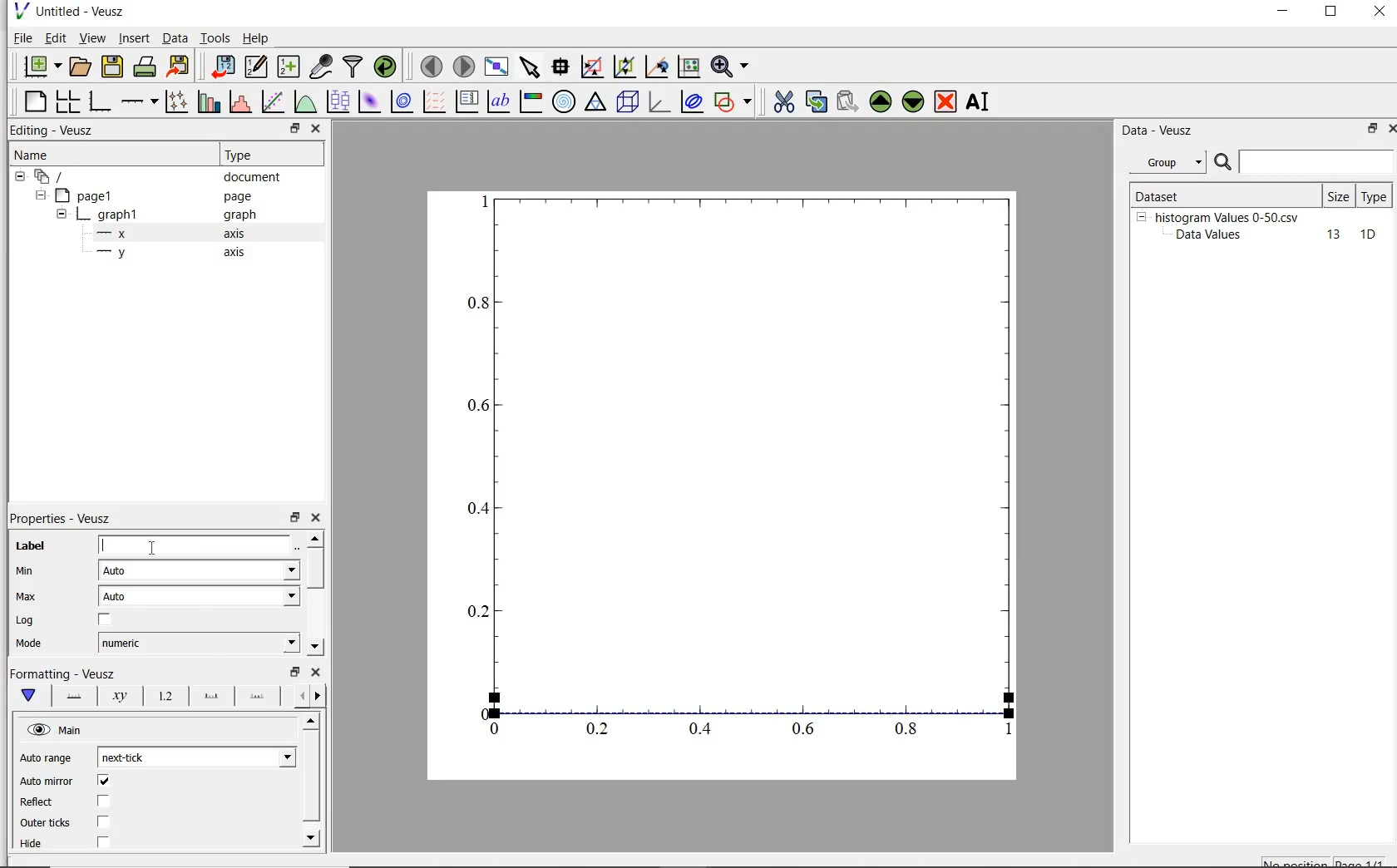 The height and width of the screenshot is (868, 1397). What do you see at coordinates (210, 697) in the screenshot?
I see `major ticks` at bounding box center [210, 697].